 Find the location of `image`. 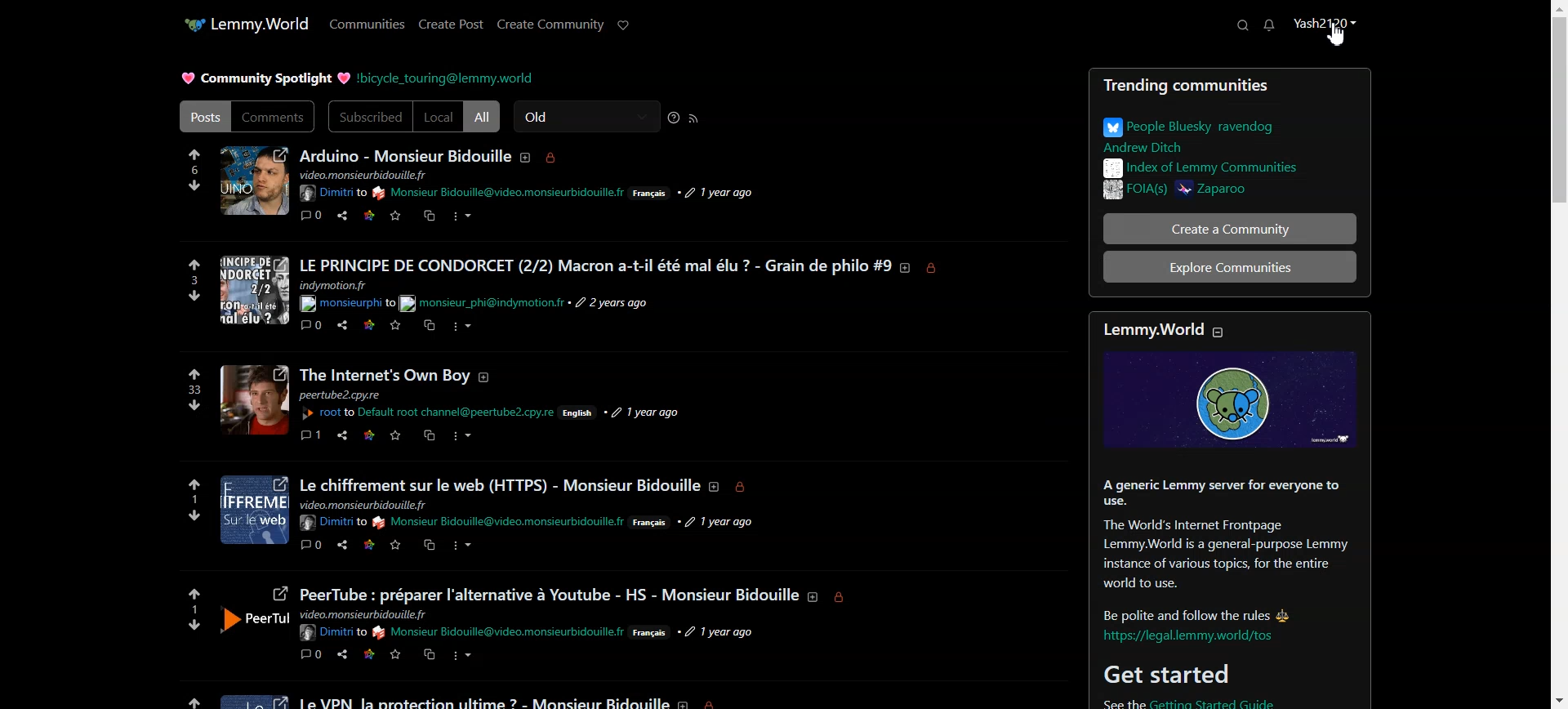

image is located at coordinates (252, 698).